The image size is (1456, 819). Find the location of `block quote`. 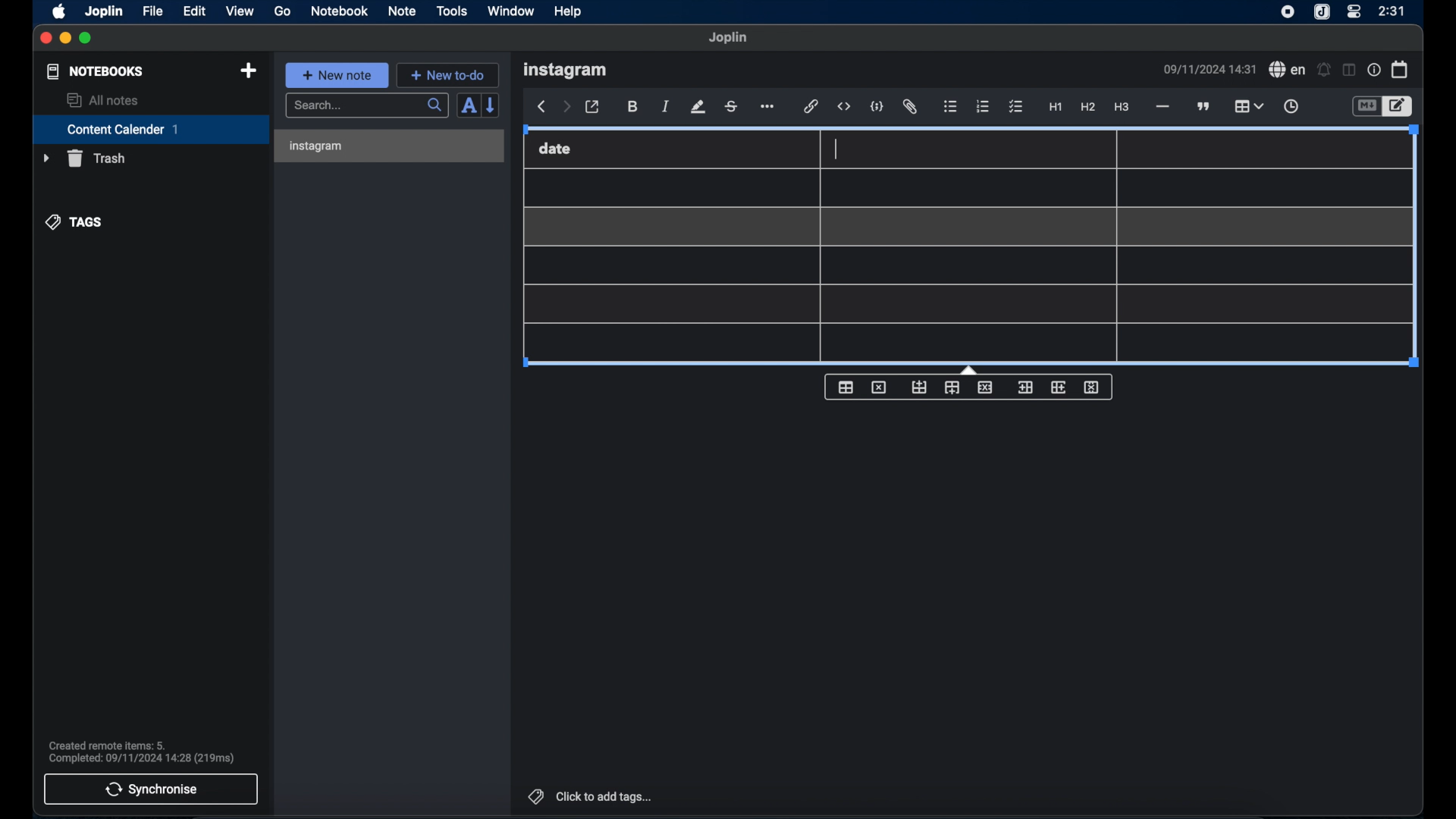

block quote is located at coordinates (1203, 106).